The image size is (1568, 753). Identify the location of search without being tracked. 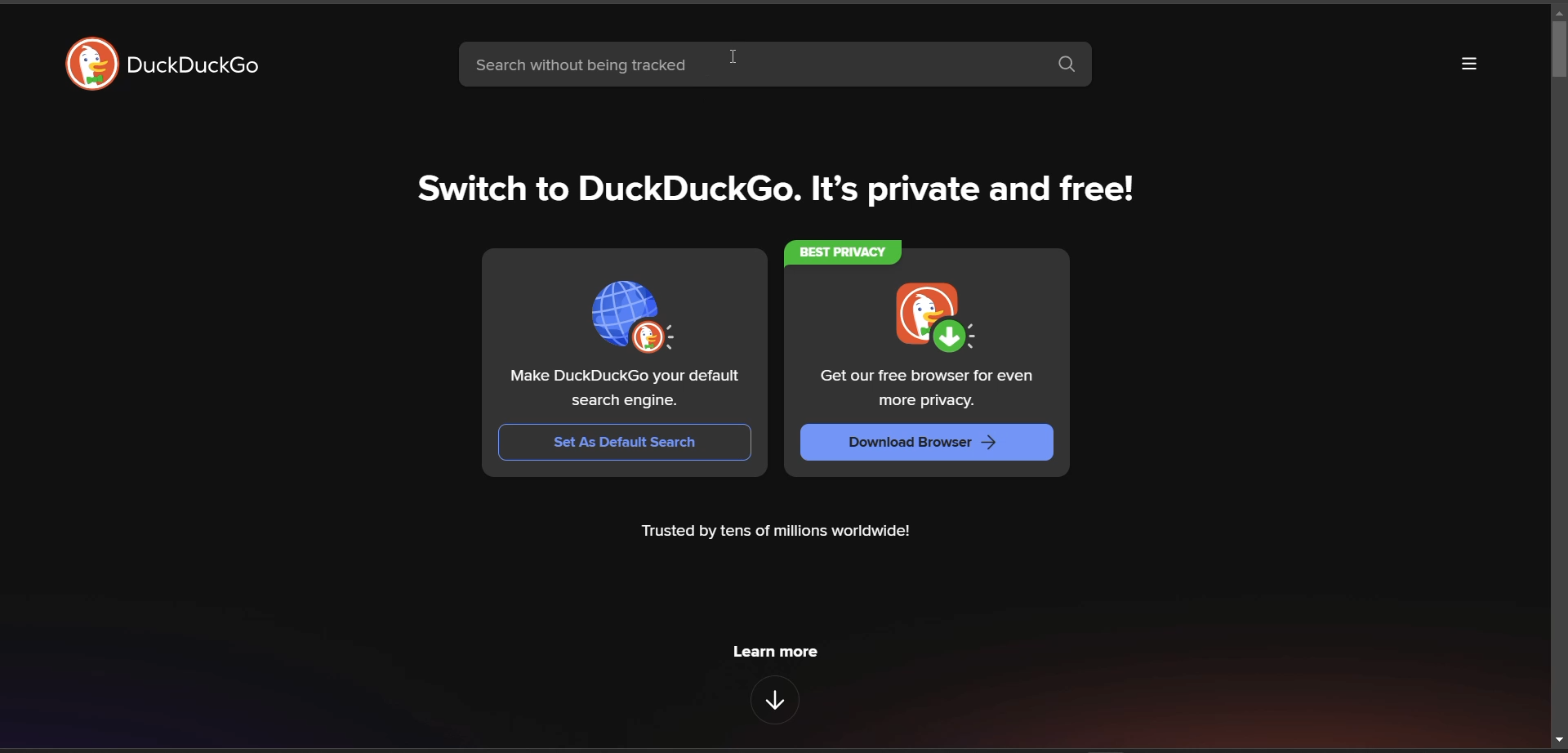
(750, 66).